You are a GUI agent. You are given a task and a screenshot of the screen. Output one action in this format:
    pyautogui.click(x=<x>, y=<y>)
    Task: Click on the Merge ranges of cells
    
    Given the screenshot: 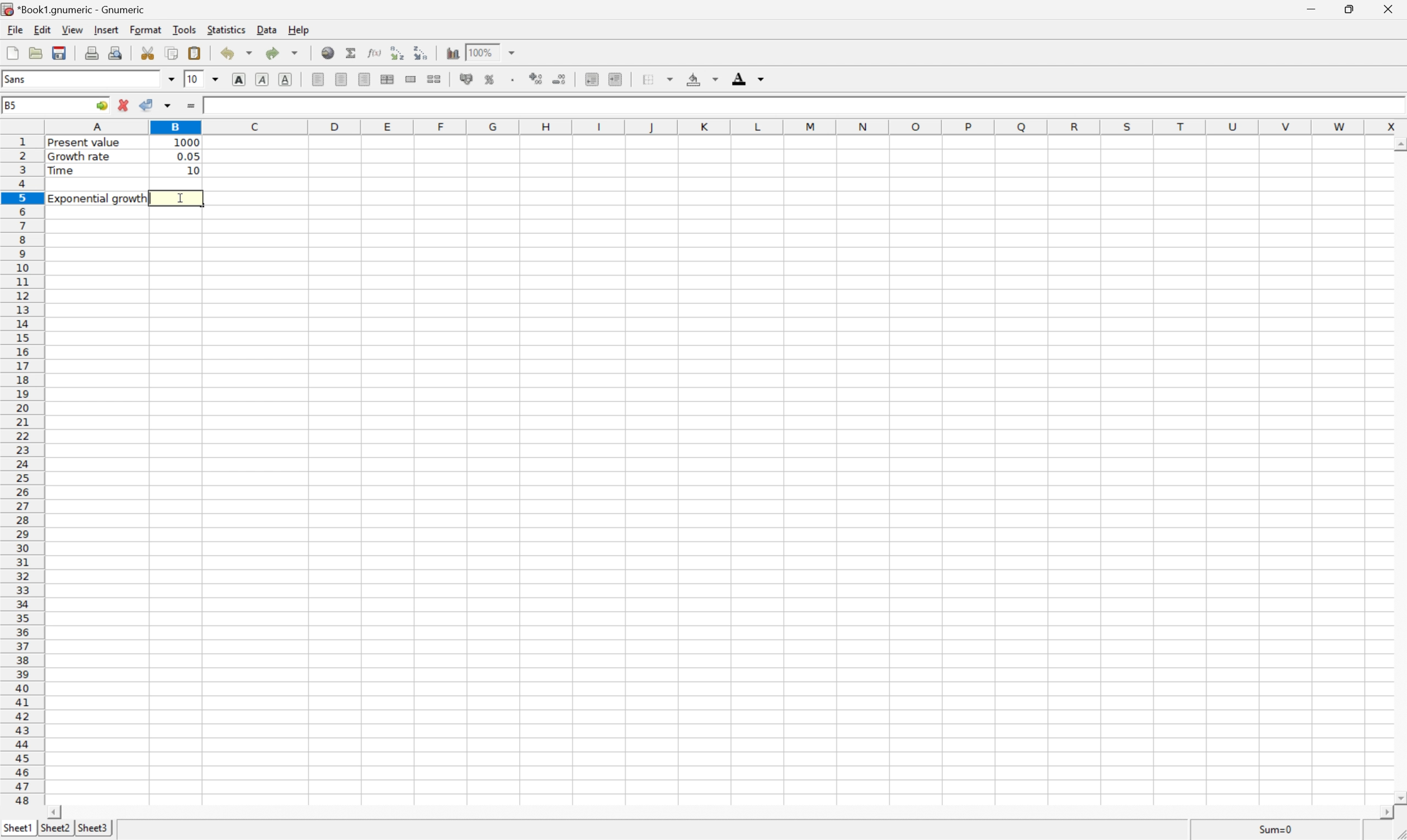 What is the action you would take?
    pyautogui.click(x=412, y=80)
    